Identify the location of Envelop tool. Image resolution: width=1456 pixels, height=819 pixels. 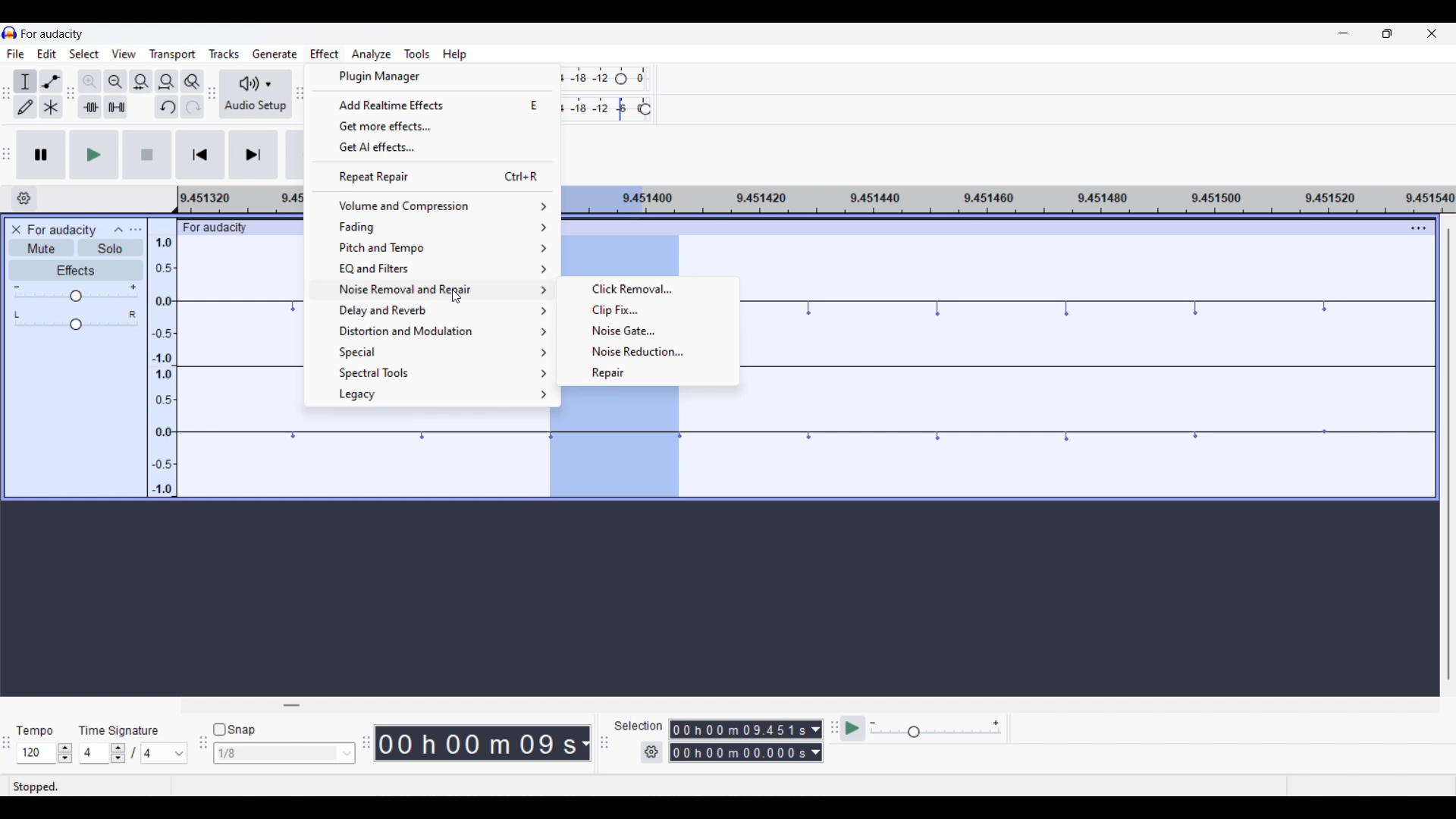
(52, 82).